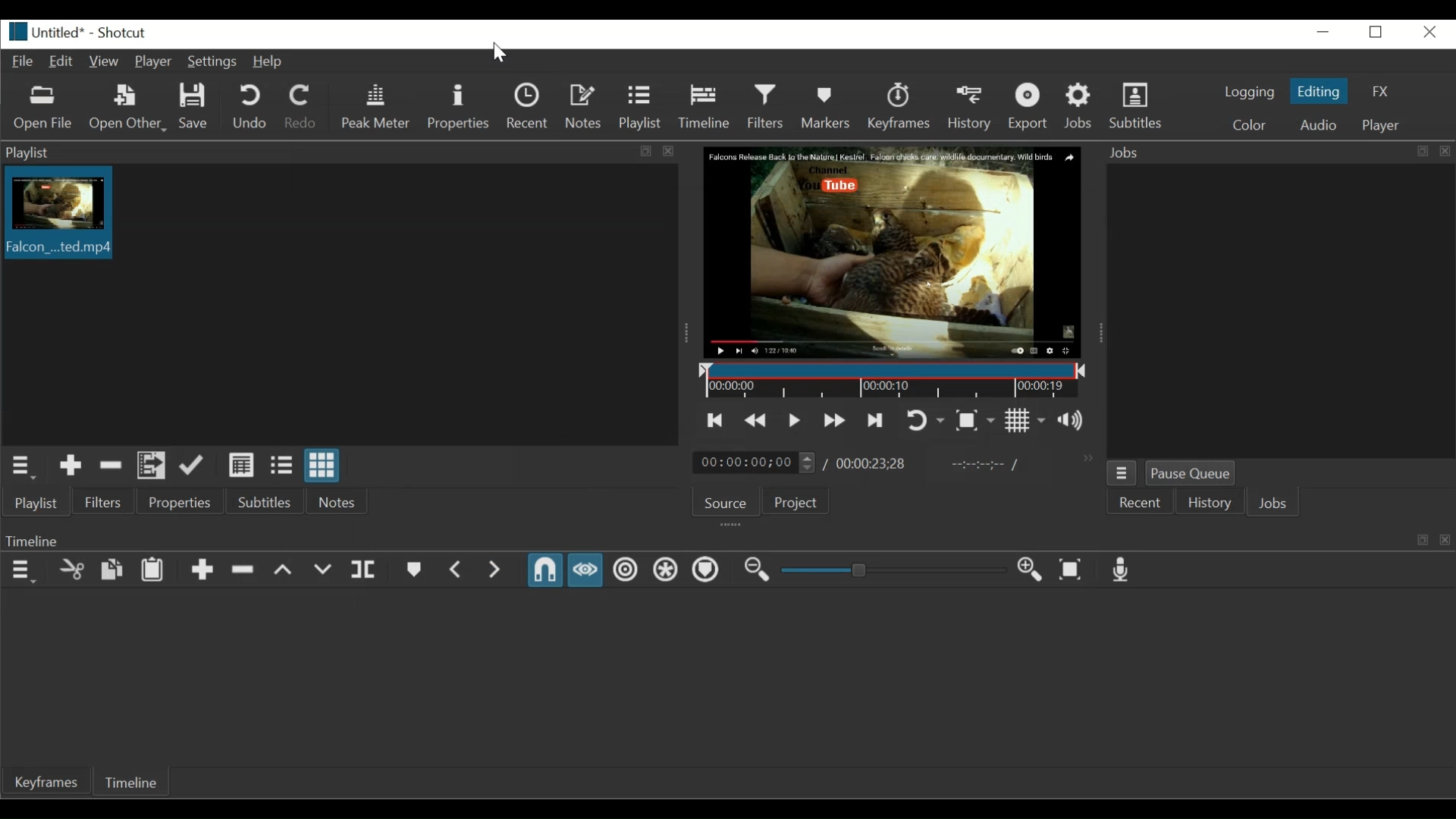 This screenshot has width=1456, height=819. I want to click on Player, so click(1381, 126).